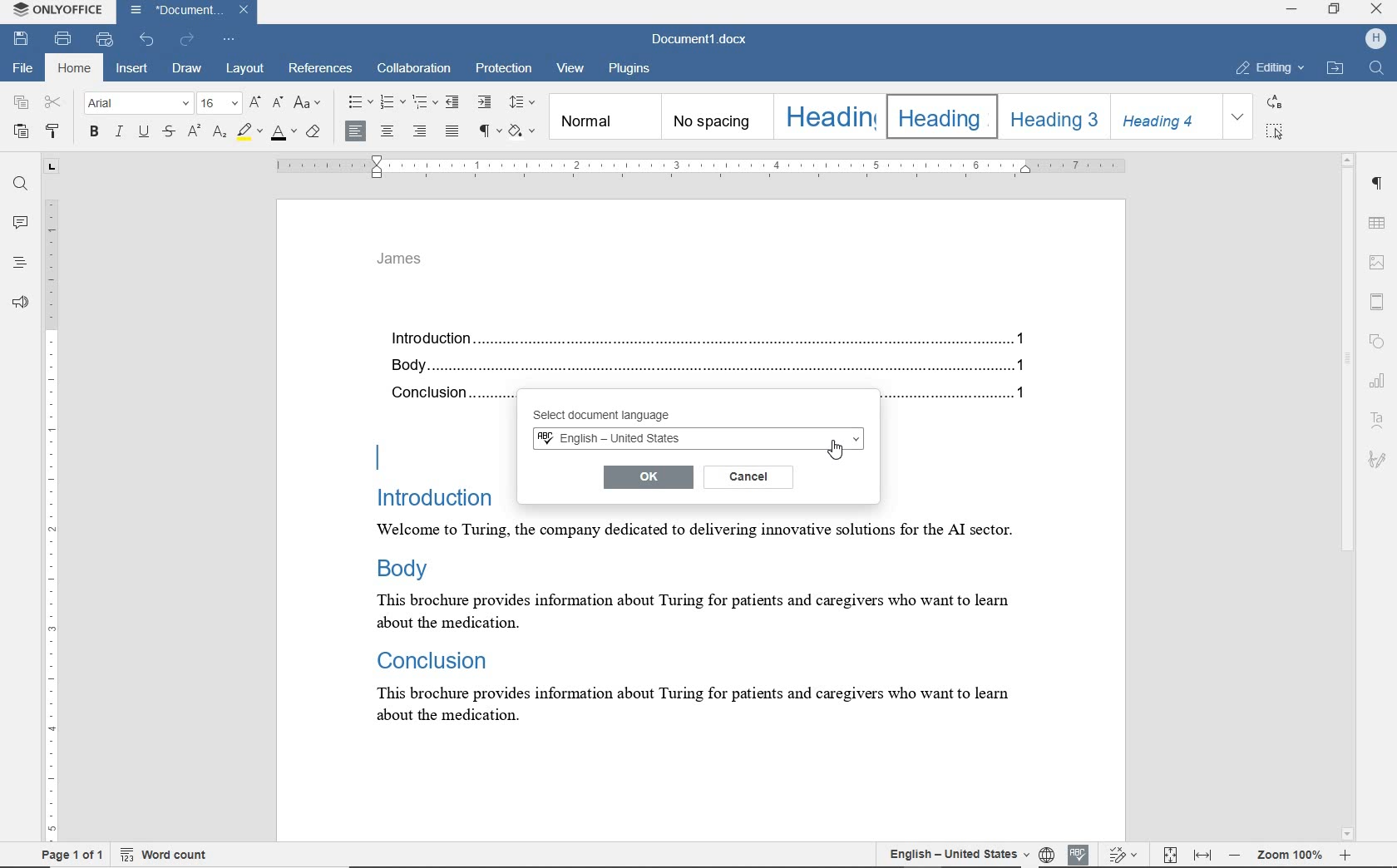 Image resolution: width=1397 pixels, height=868 pixels. I want to click on protection, so click(504, 71).